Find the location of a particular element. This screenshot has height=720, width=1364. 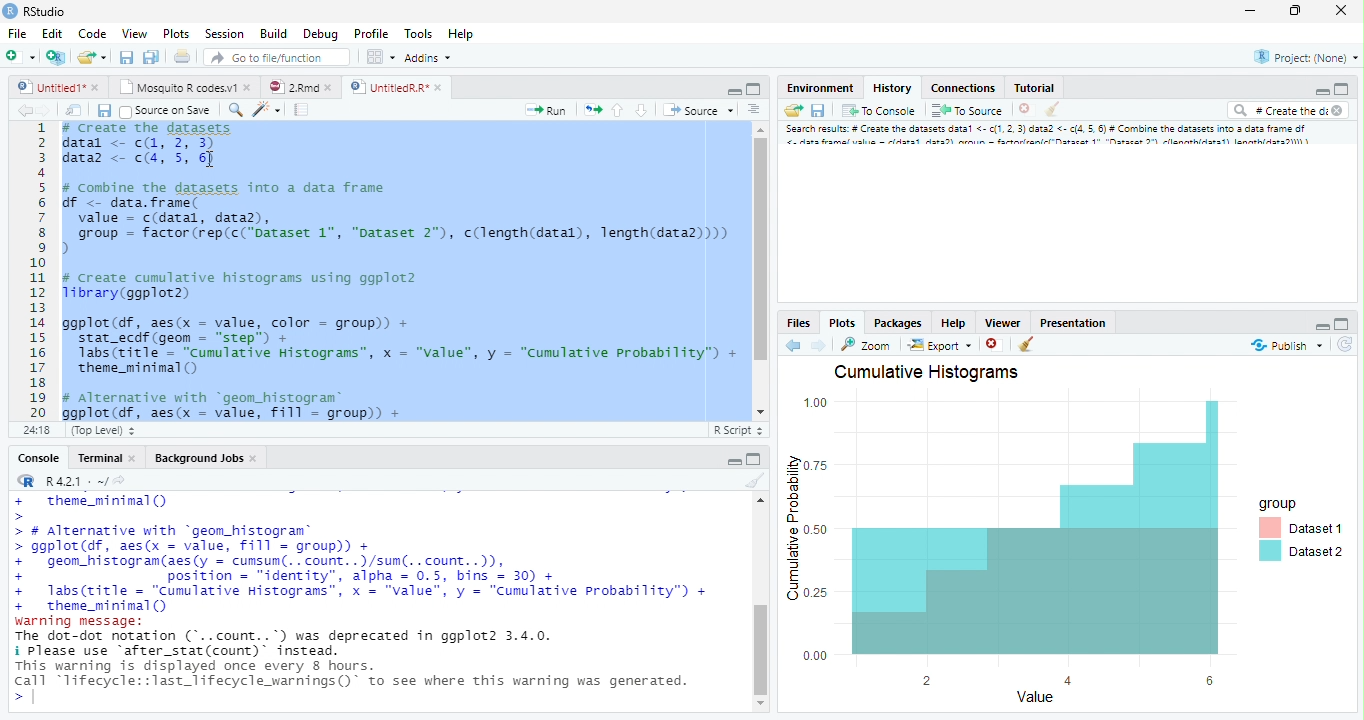

>> # Alternative with “geom_histogram®> ggplot(df, aes(x = value, fill = group)) ++ geom_histogram(aes(y = cumsun(. .count..)/sun(. .count..)),. position = “identity”, alpha = 0.5, bins = 30) ++ labs(ritle = "Cumulative Histograms”, x = "value", y = "Cumulative Probability”) ++ theme_mininal()warning message:The dot-dot notation ('..count..') was deprecated in ggplot2 3.4.0.i Please use "after_stat (count) instead.This warning is displayed once every 8 hours.call “lifecycle::last_lifecycle_warnings()" to see where this warning was generated.a] is located at coordinates (376, 605).